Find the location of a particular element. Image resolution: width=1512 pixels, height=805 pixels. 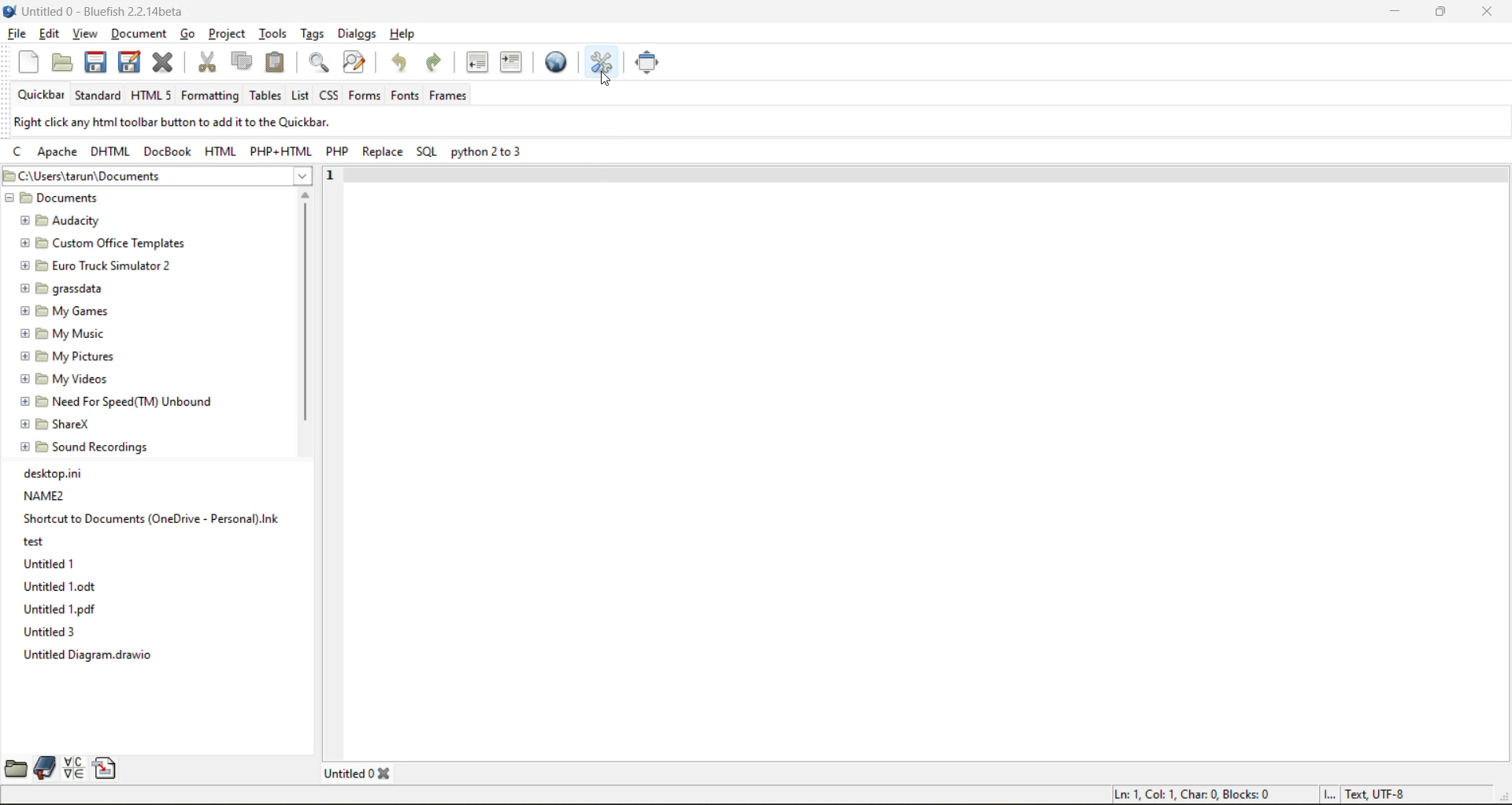

metadata is located at coordinates (170, 123).